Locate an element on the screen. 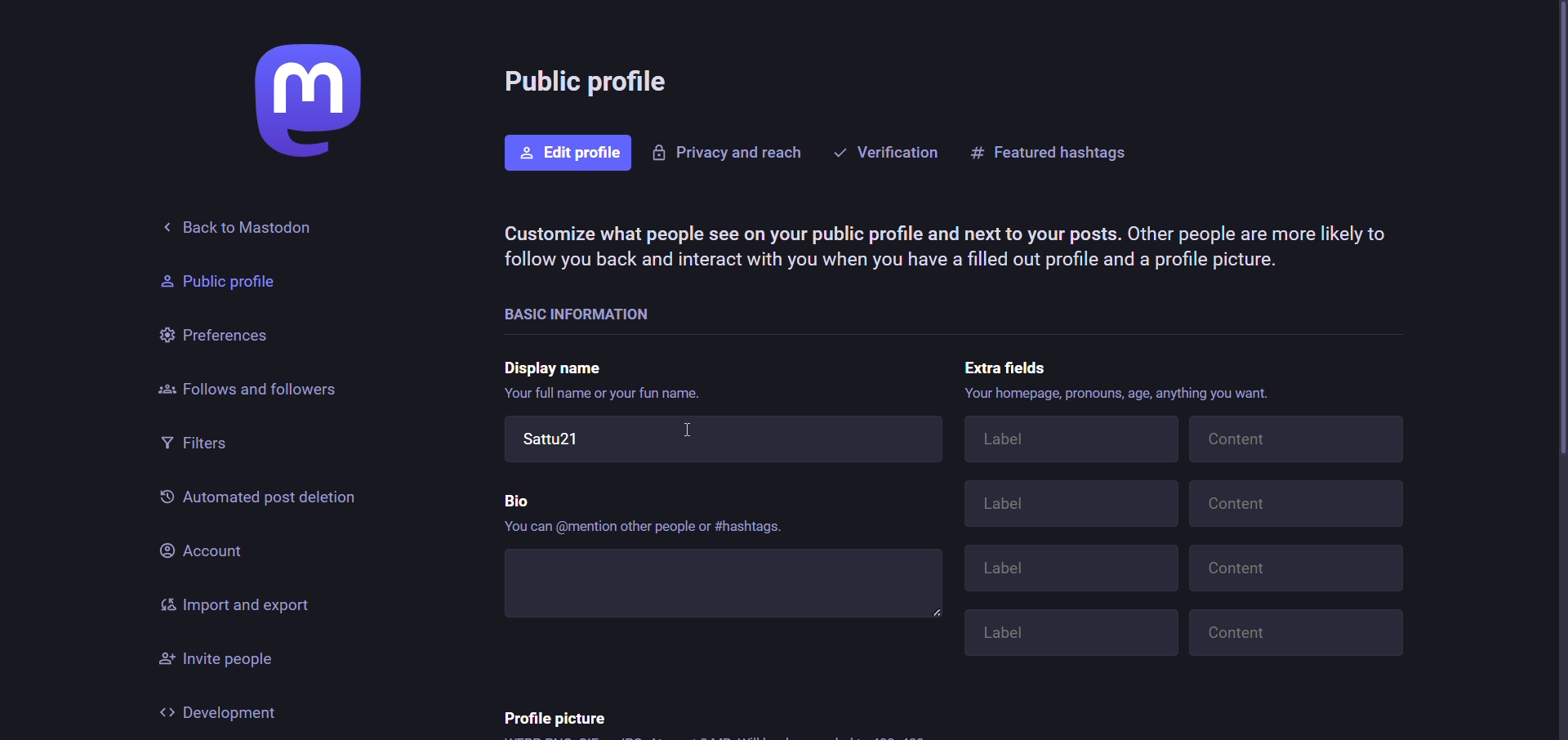 Image resolution: width=1568 pixels, height=740 pixels. Customize what people see on your public profile and next to your posts. Other people are more likely to
follow you back and interact with you when you have a filled out profile and a profile picture. is located at coordinates (945, 247).